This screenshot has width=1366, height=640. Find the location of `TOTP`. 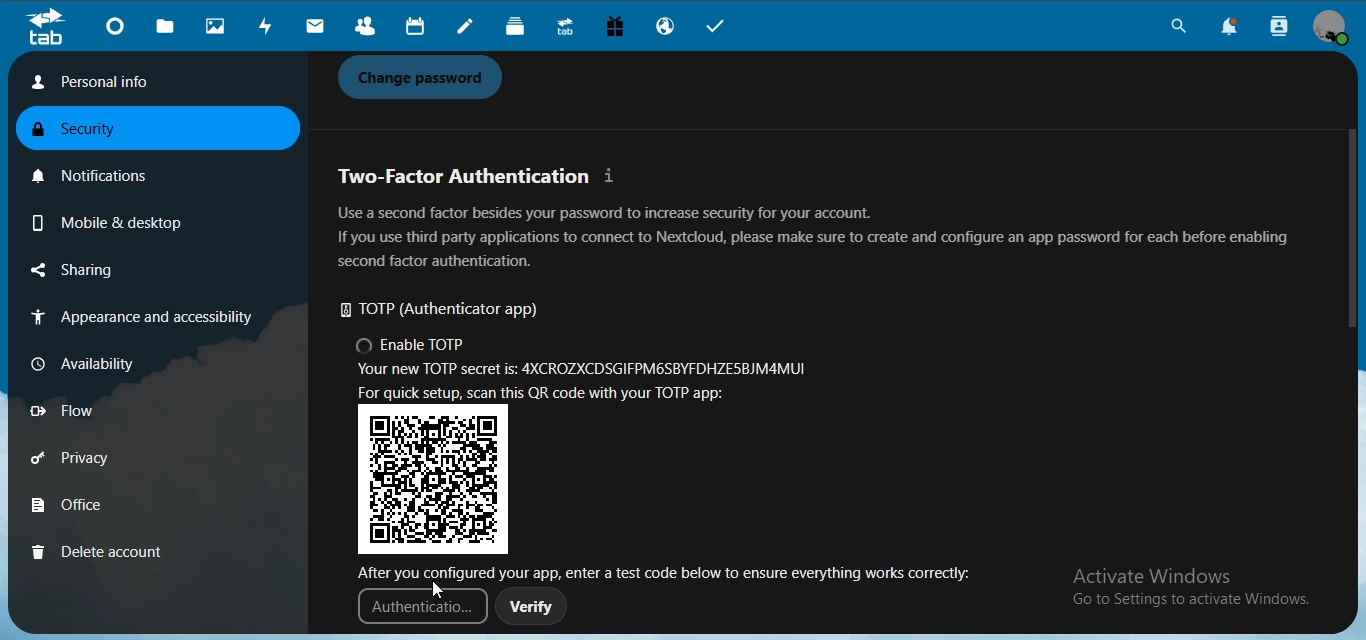

TOTP is located at coordinates (450, 311).